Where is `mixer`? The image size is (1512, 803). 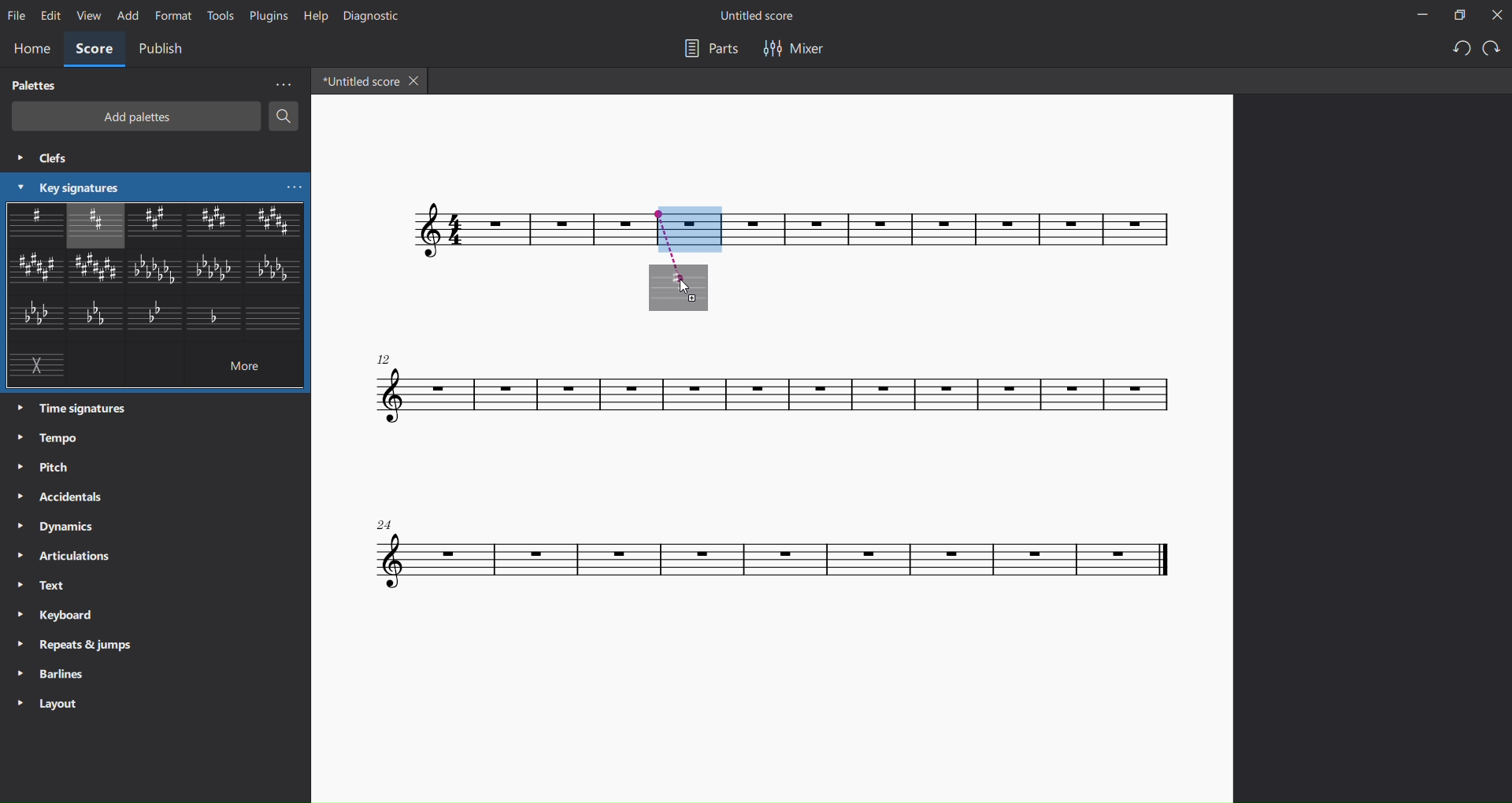 mixer is located at coordinates (805, 48).